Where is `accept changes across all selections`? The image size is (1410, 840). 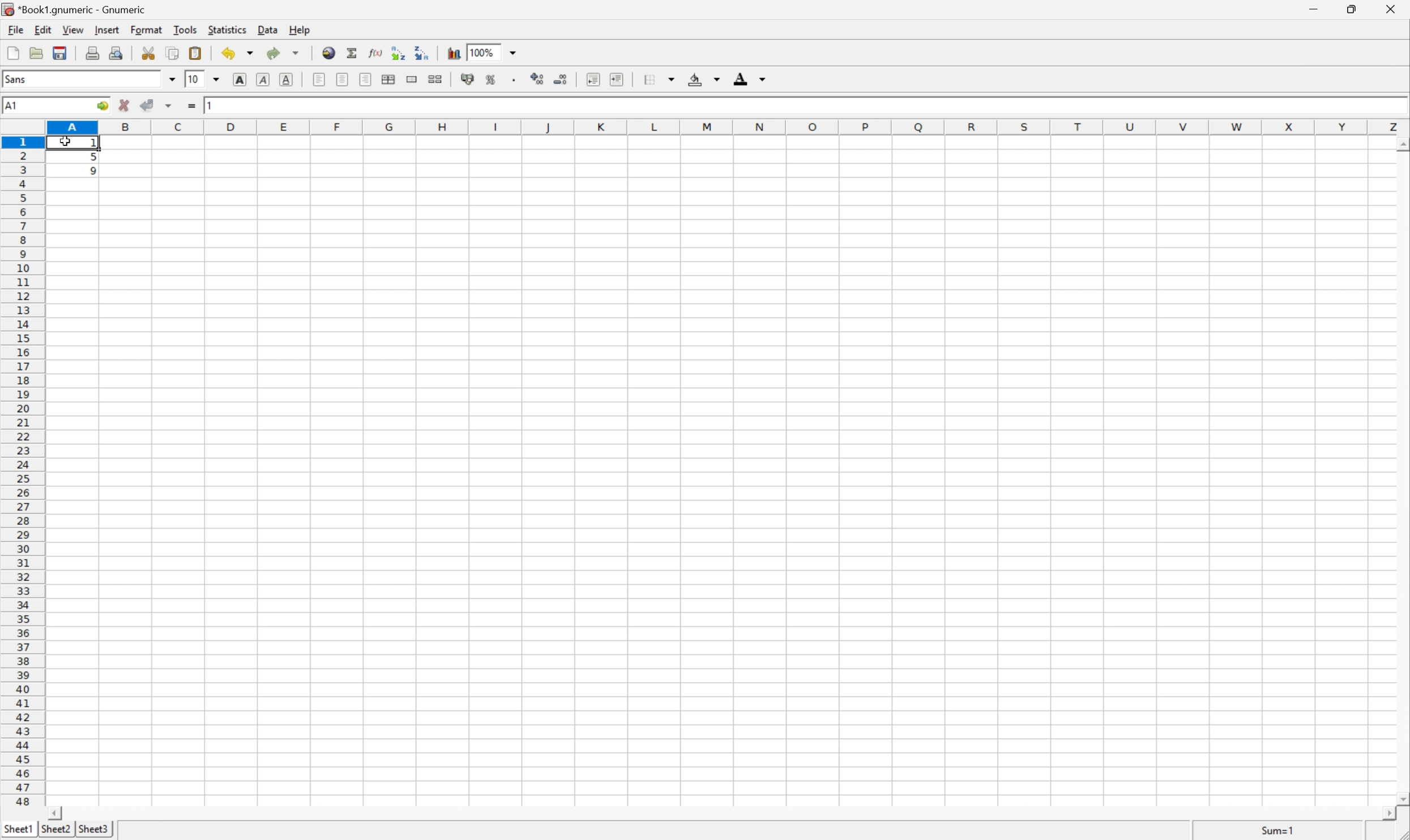
accept changes across all selections is located at coordinates (169, 106).